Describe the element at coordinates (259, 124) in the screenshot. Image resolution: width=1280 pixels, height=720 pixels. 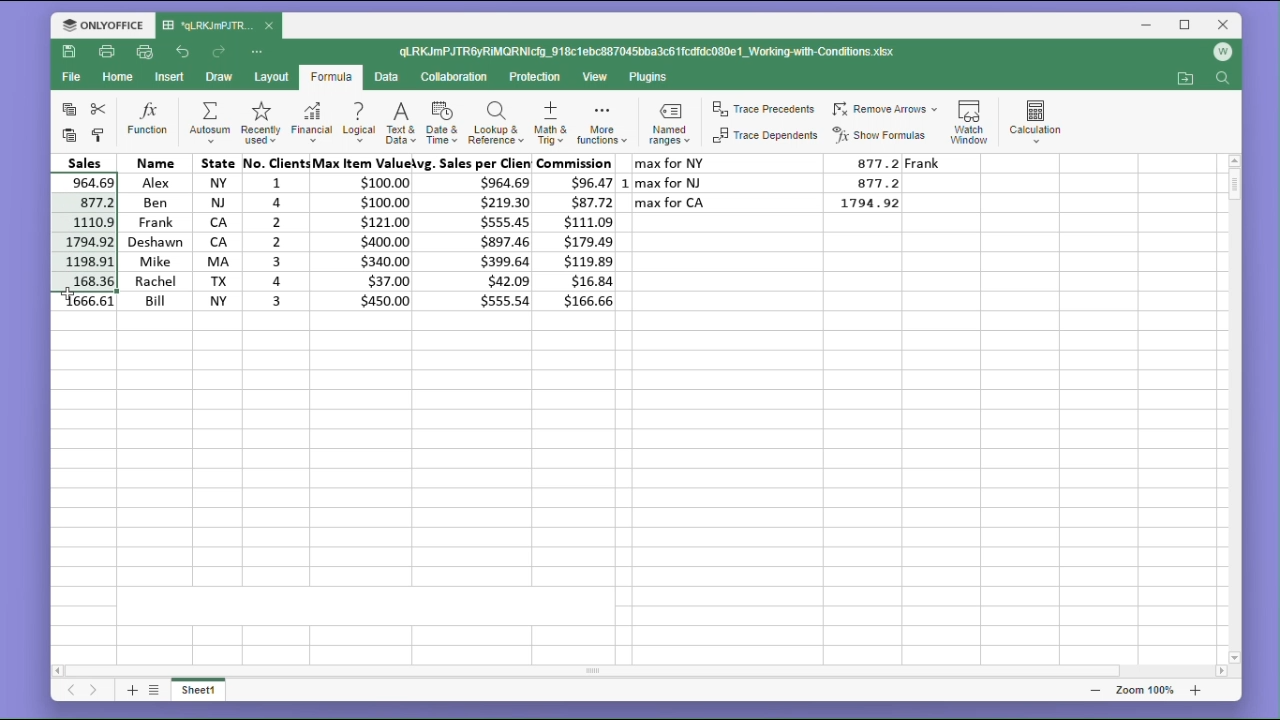
I see `recently used` at that location.